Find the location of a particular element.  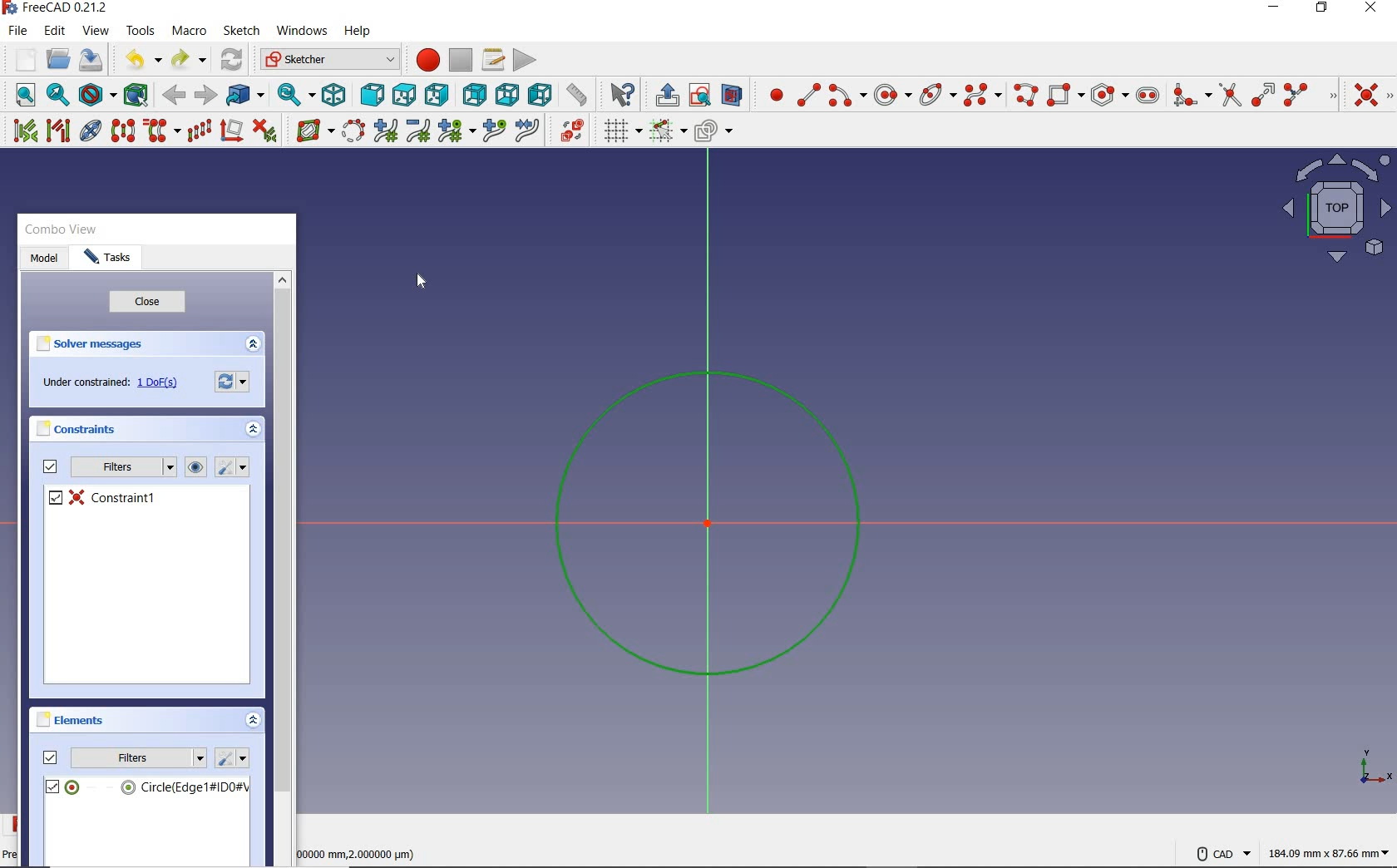

front is located at coordinates (369, 93).